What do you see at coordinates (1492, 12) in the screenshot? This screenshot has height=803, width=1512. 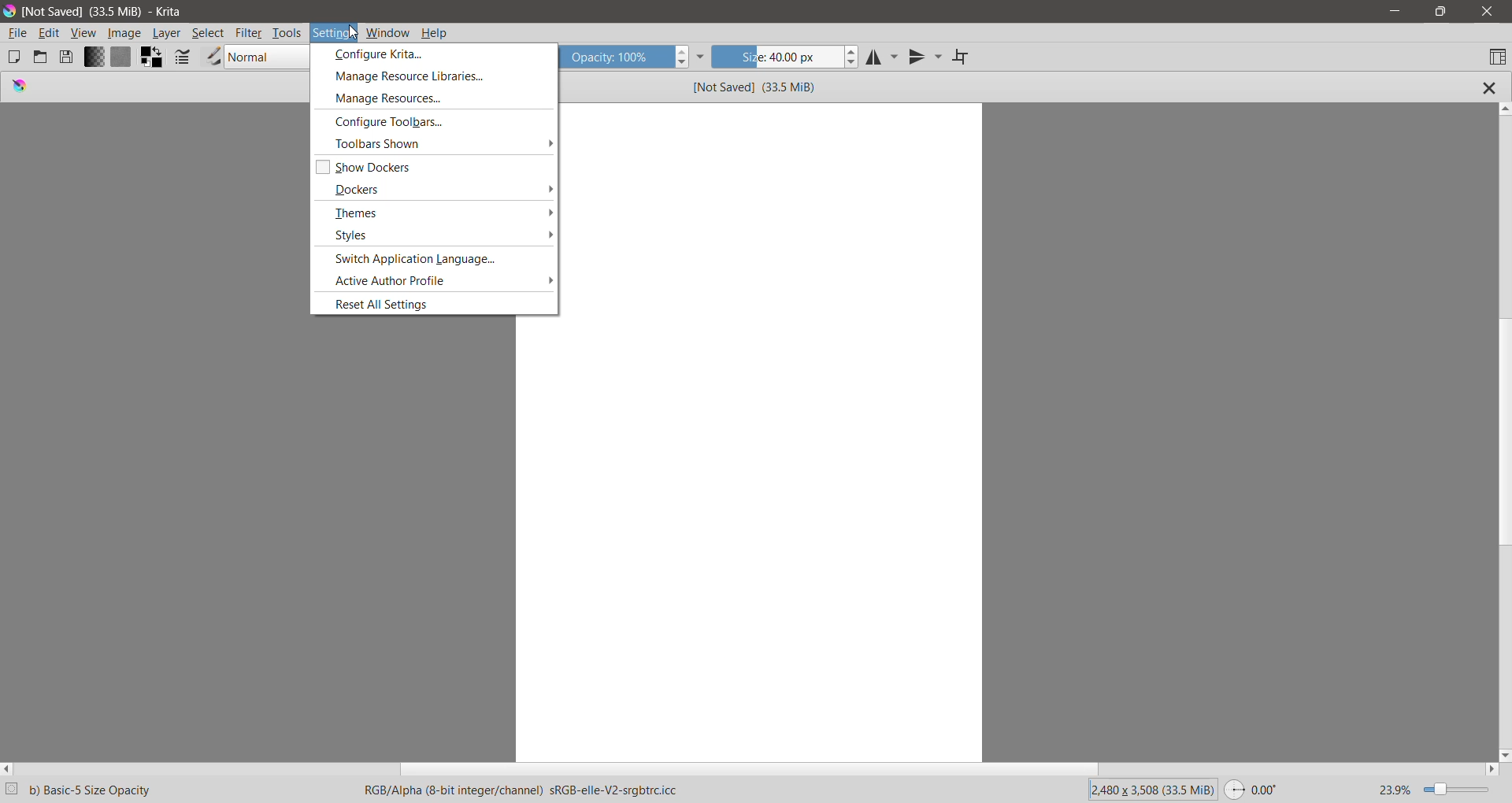 I see `Close` at bounding box center [1492, 12].